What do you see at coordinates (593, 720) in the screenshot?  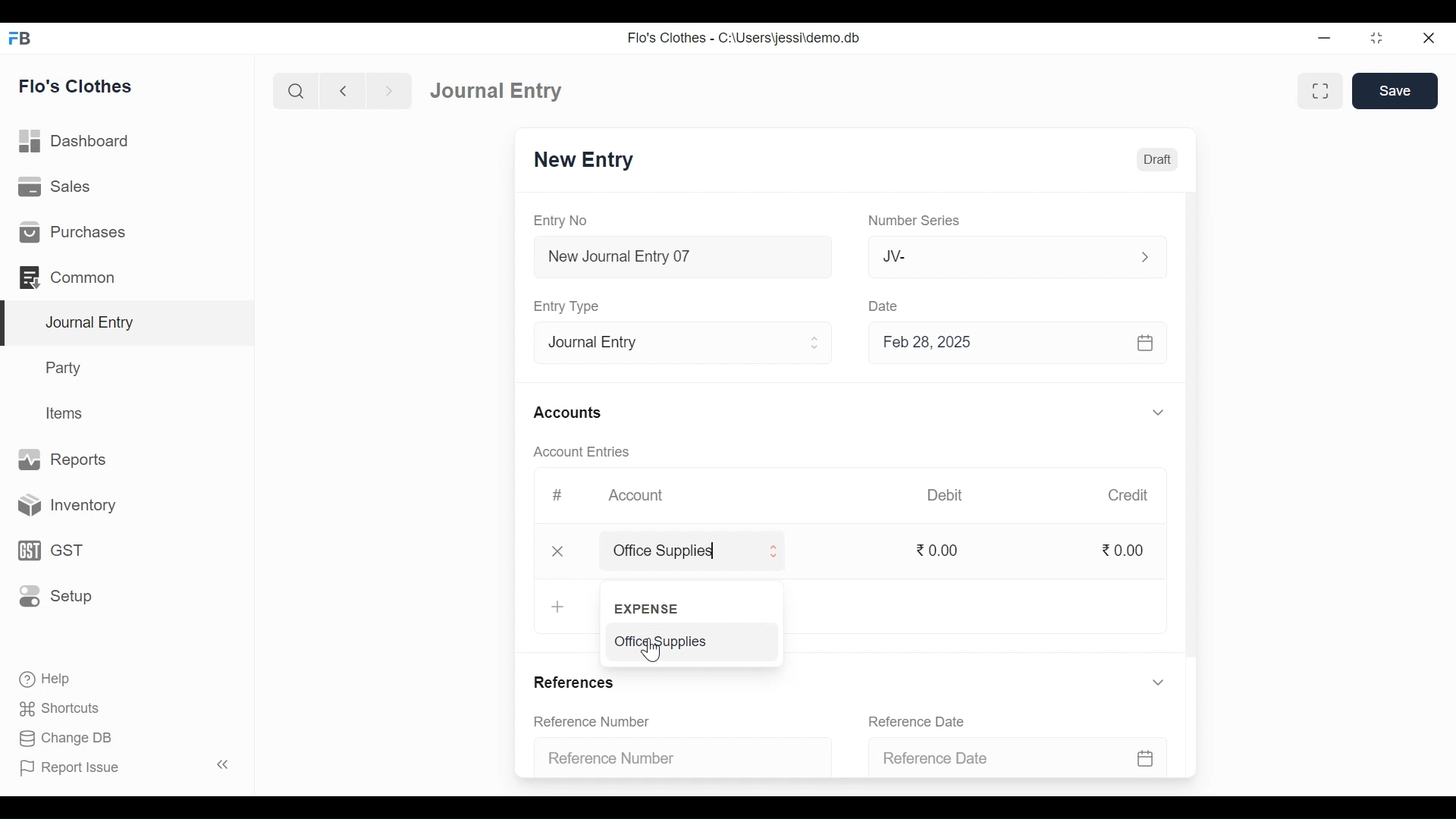 I see `Reference Number` at bounding box center [593, 720].